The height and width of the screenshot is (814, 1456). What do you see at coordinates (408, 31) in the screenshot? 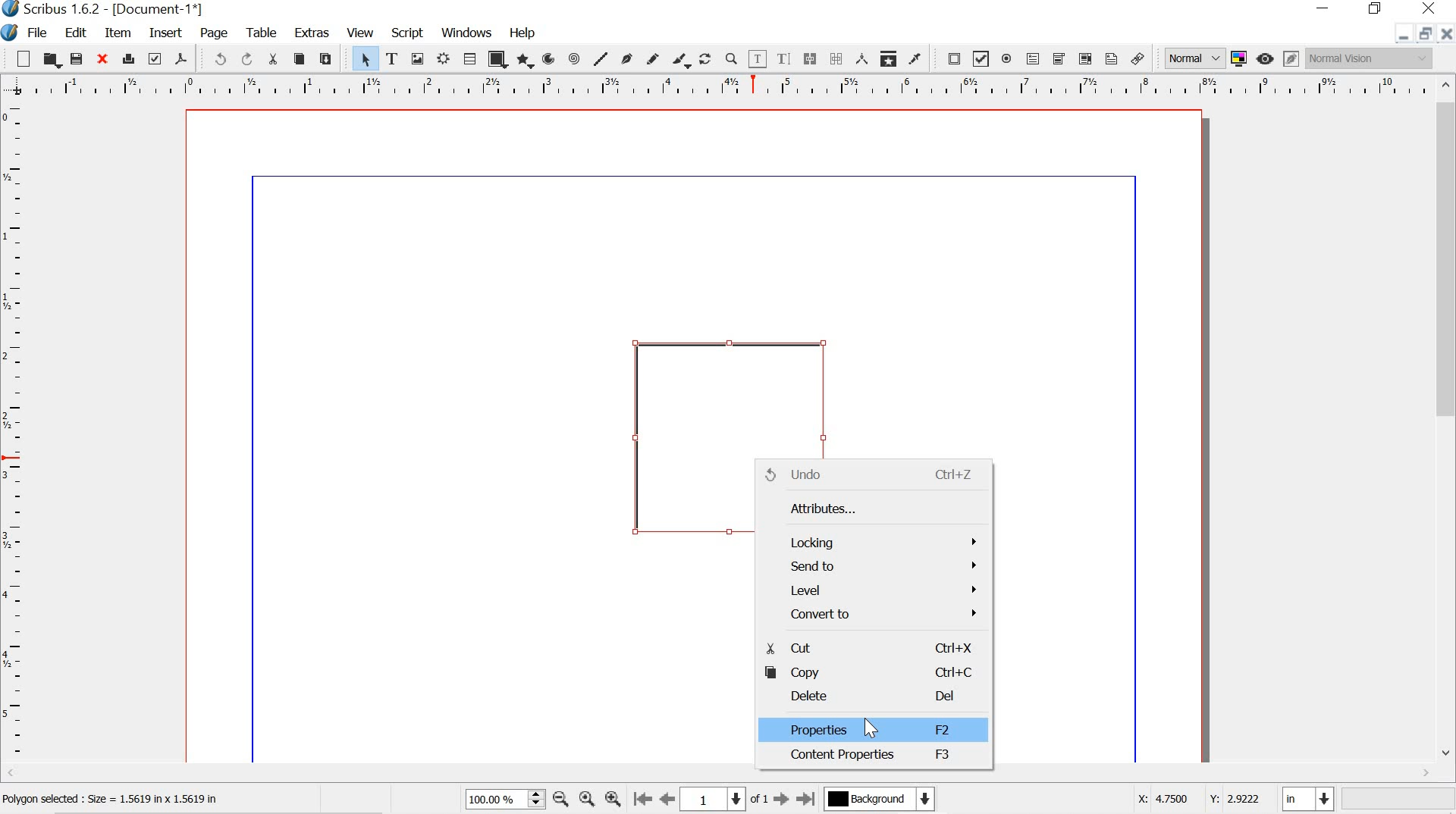
I see `script` at bounding box center [408, 31].